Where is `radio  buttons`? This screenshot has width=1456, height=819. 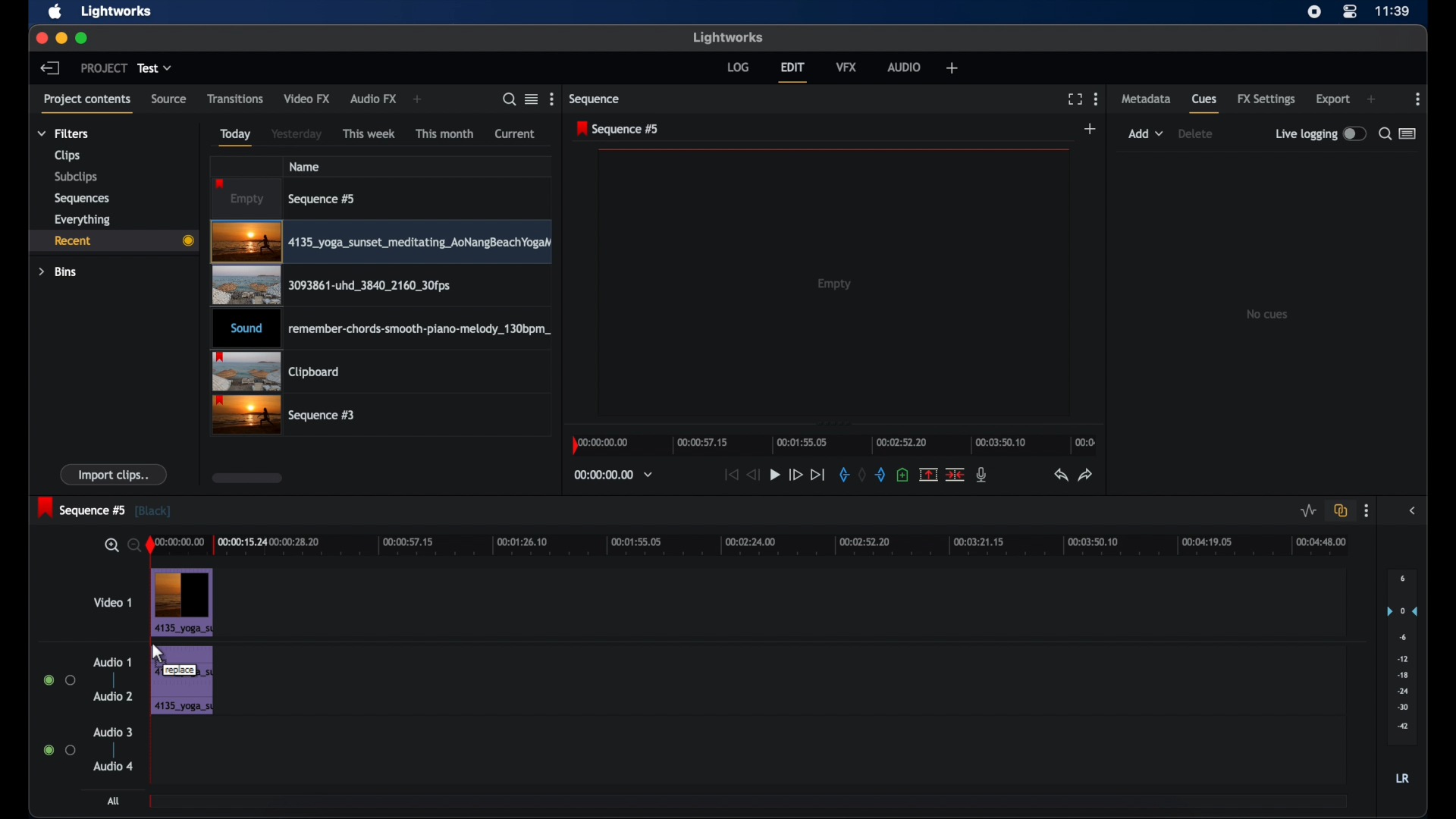 radio  buttons is located at coordinates (60, 750).